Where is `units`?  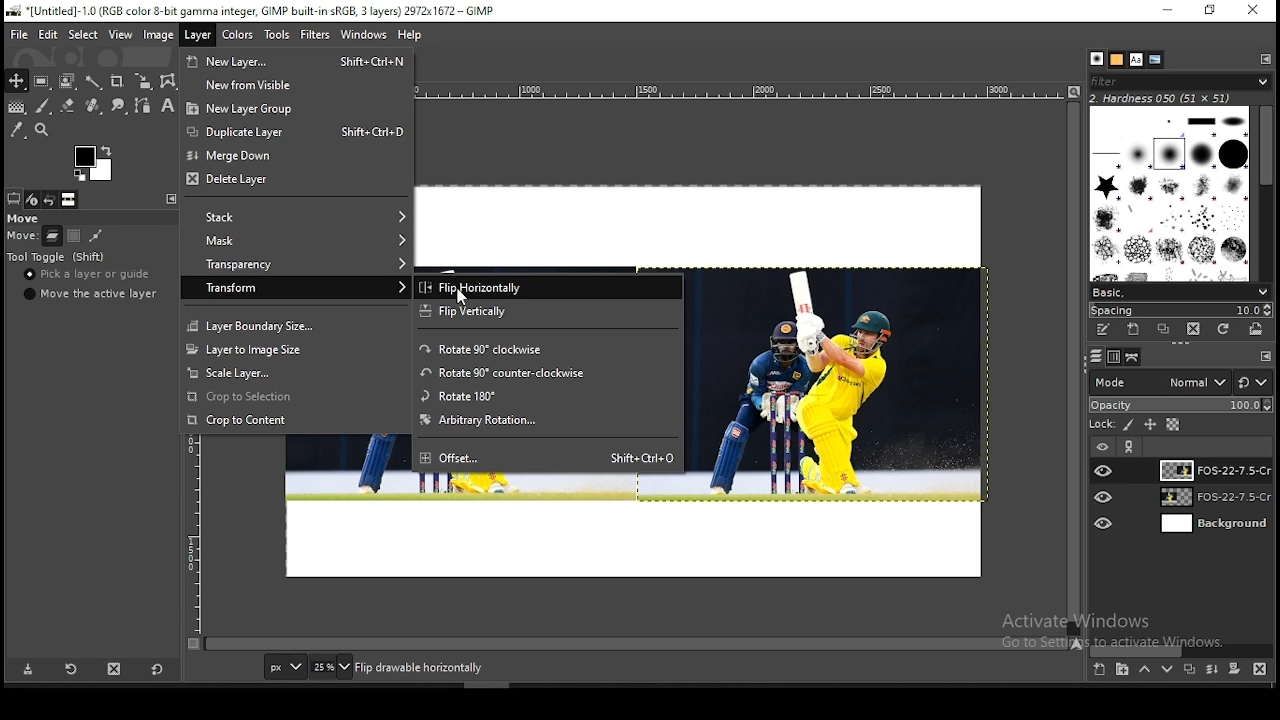 units is located at coordinates (285, 668).